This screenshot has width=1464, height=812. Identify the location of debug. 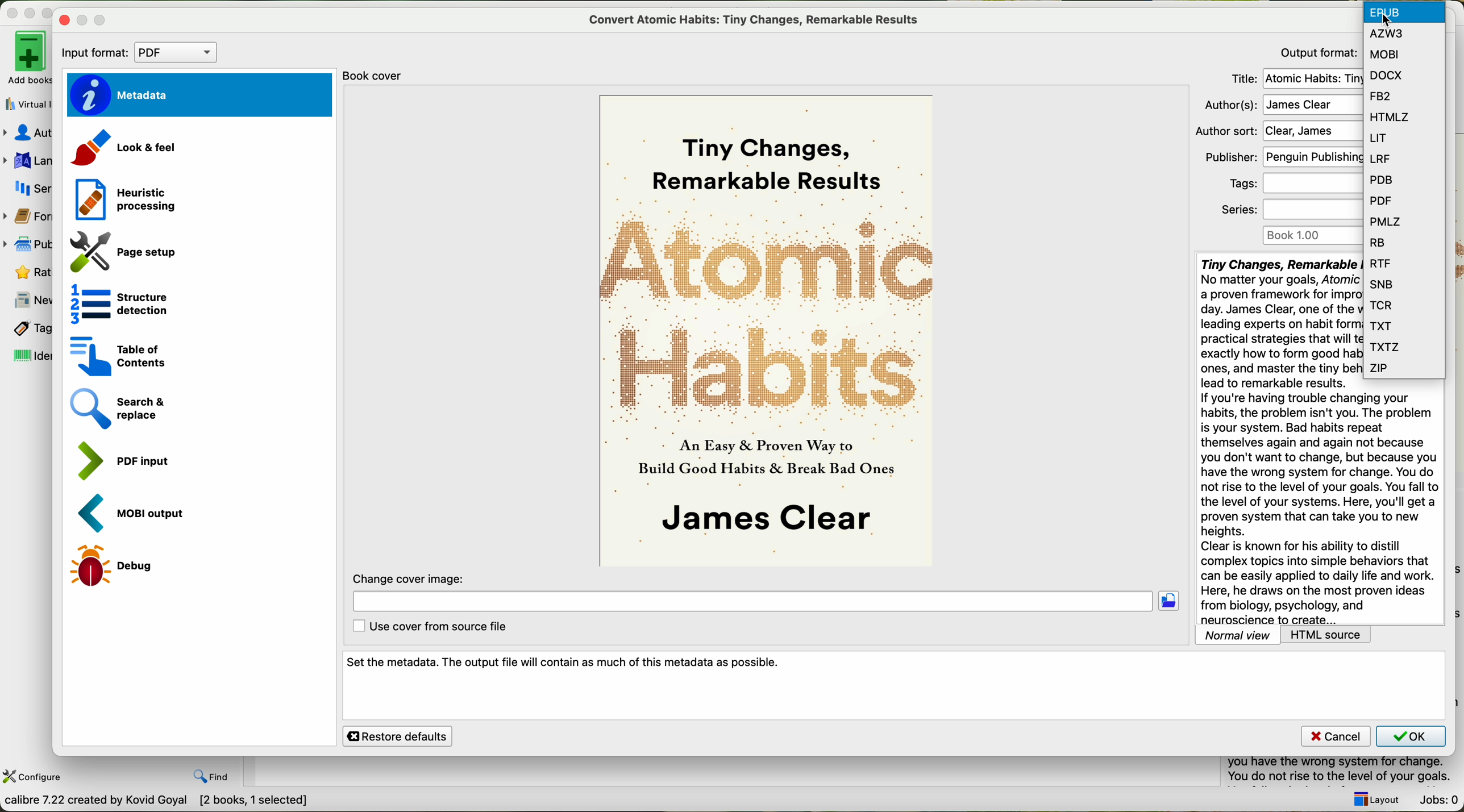
(114, 567).